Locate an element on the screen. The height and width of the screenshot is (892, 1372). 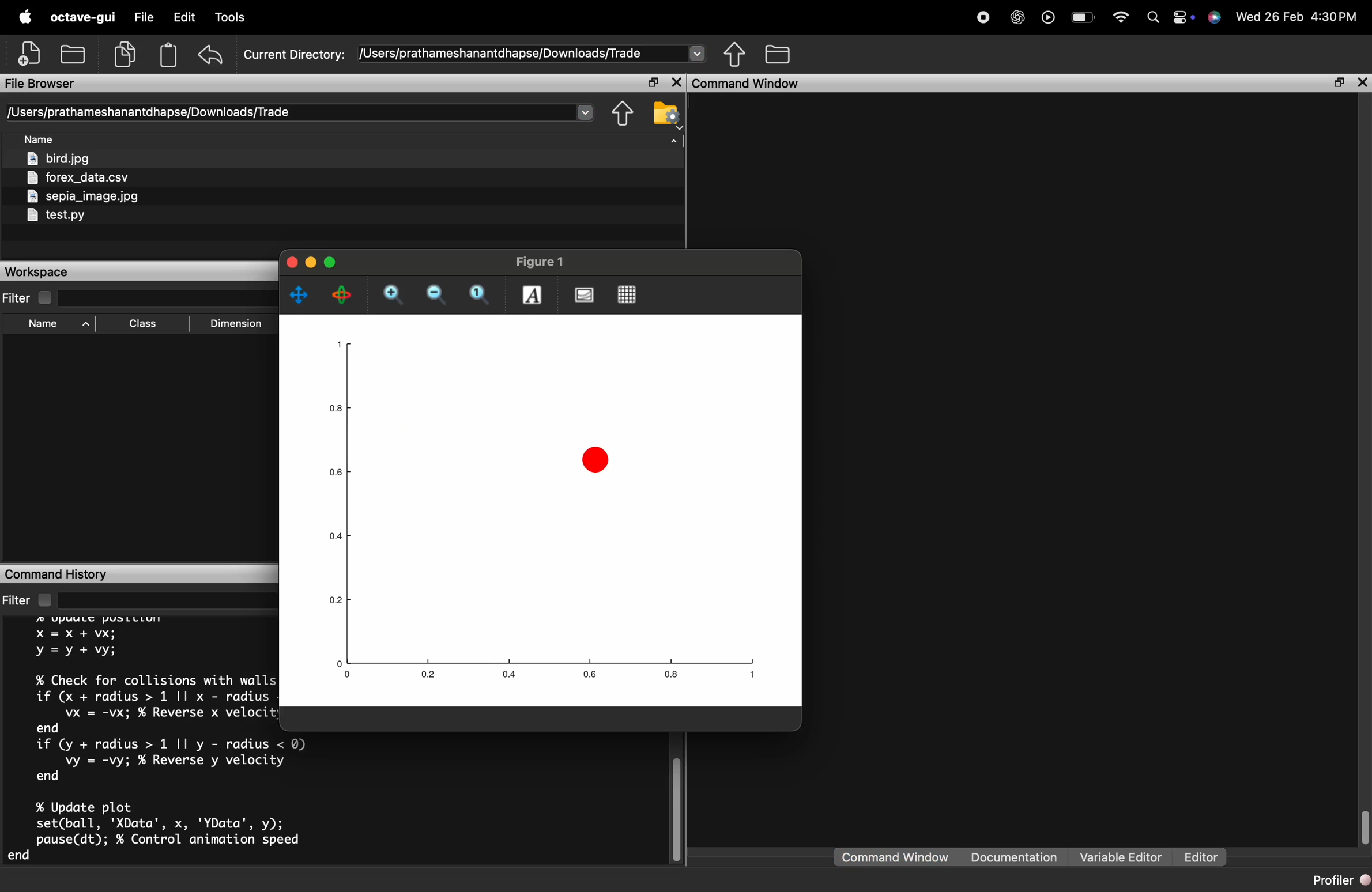
zoom out is located at coordinates (437, 296).